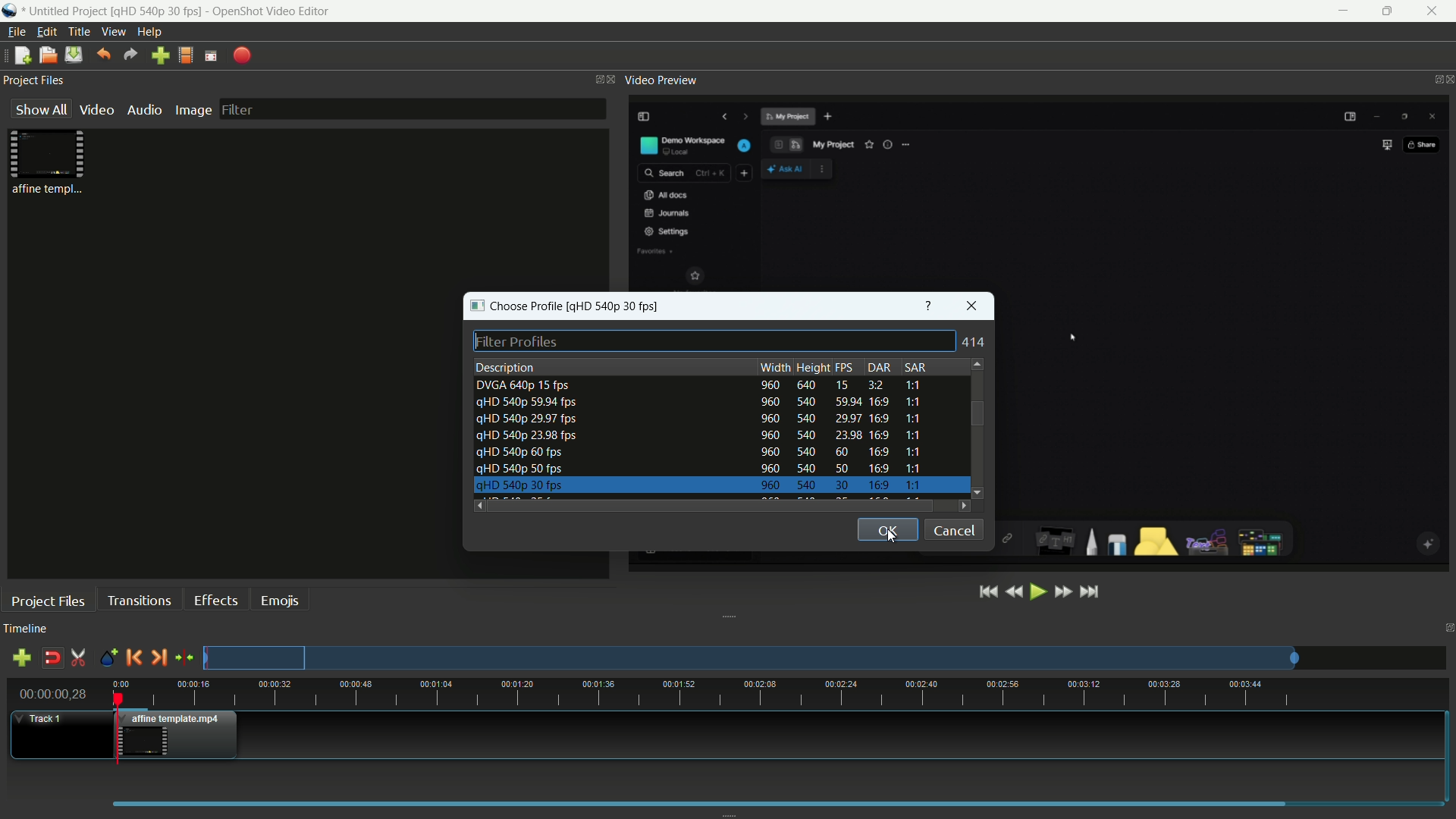  What do you see at coordinates (26, 629) in the screenshot?
I see `timeline` at bounding box center [26, 629].